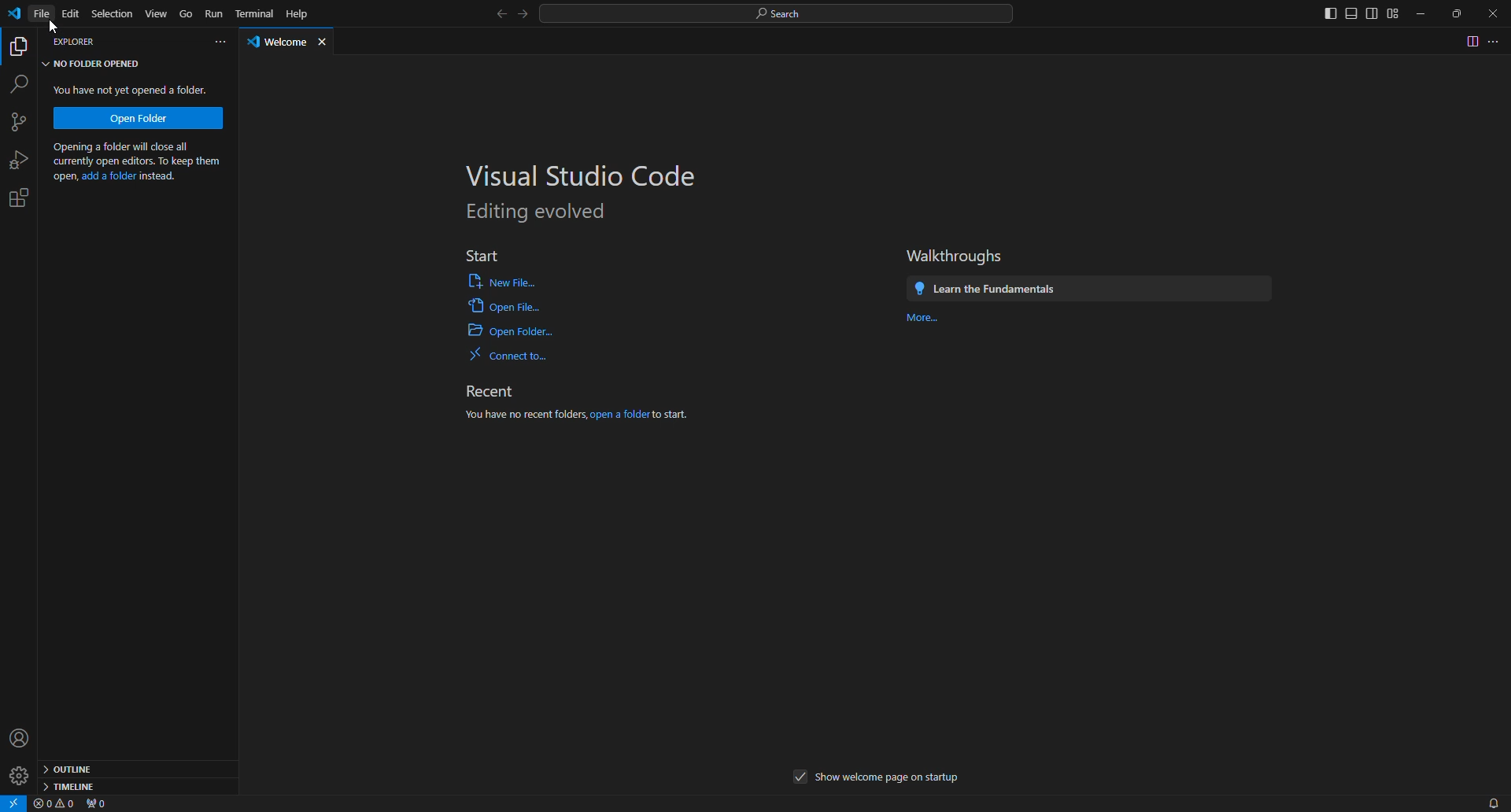 Image resolution: width=1511 pixels, height=812 pixels. Describe the element at coordinates (42, 14) in the screenshot. I see `file` at that location.